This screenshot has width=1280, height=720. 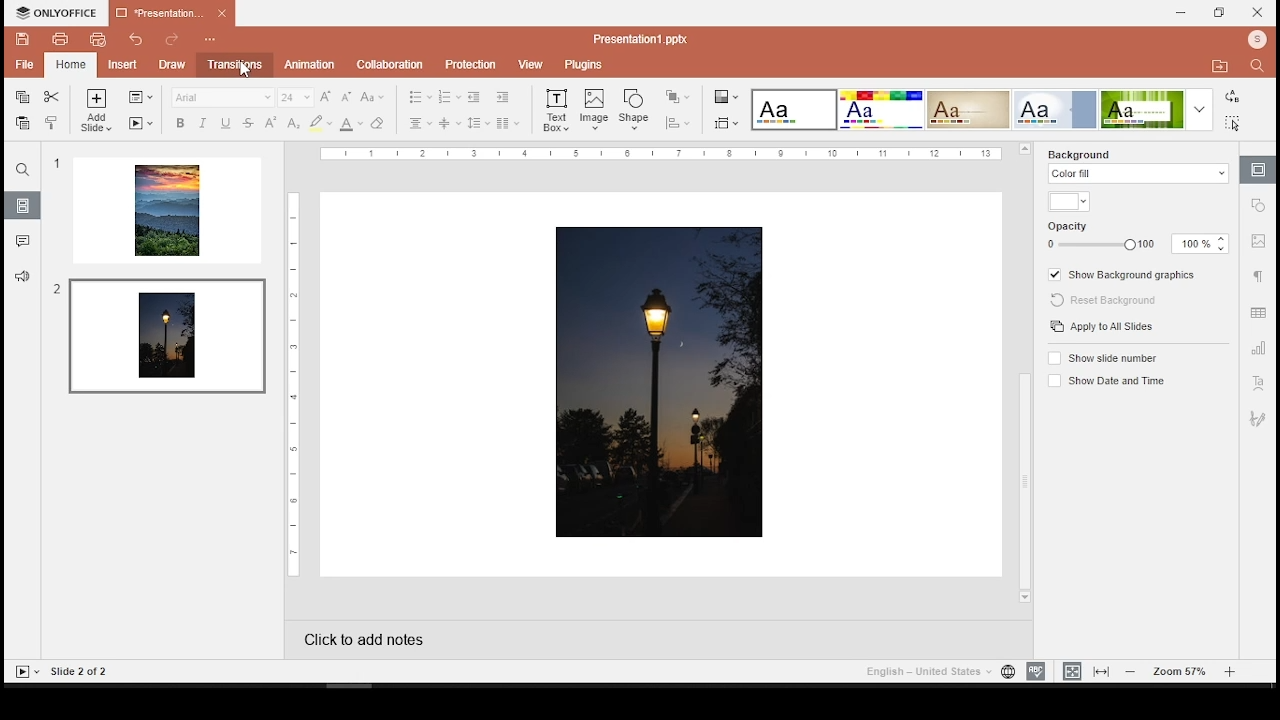 I want to click on italics, so click(x=203, y=122).